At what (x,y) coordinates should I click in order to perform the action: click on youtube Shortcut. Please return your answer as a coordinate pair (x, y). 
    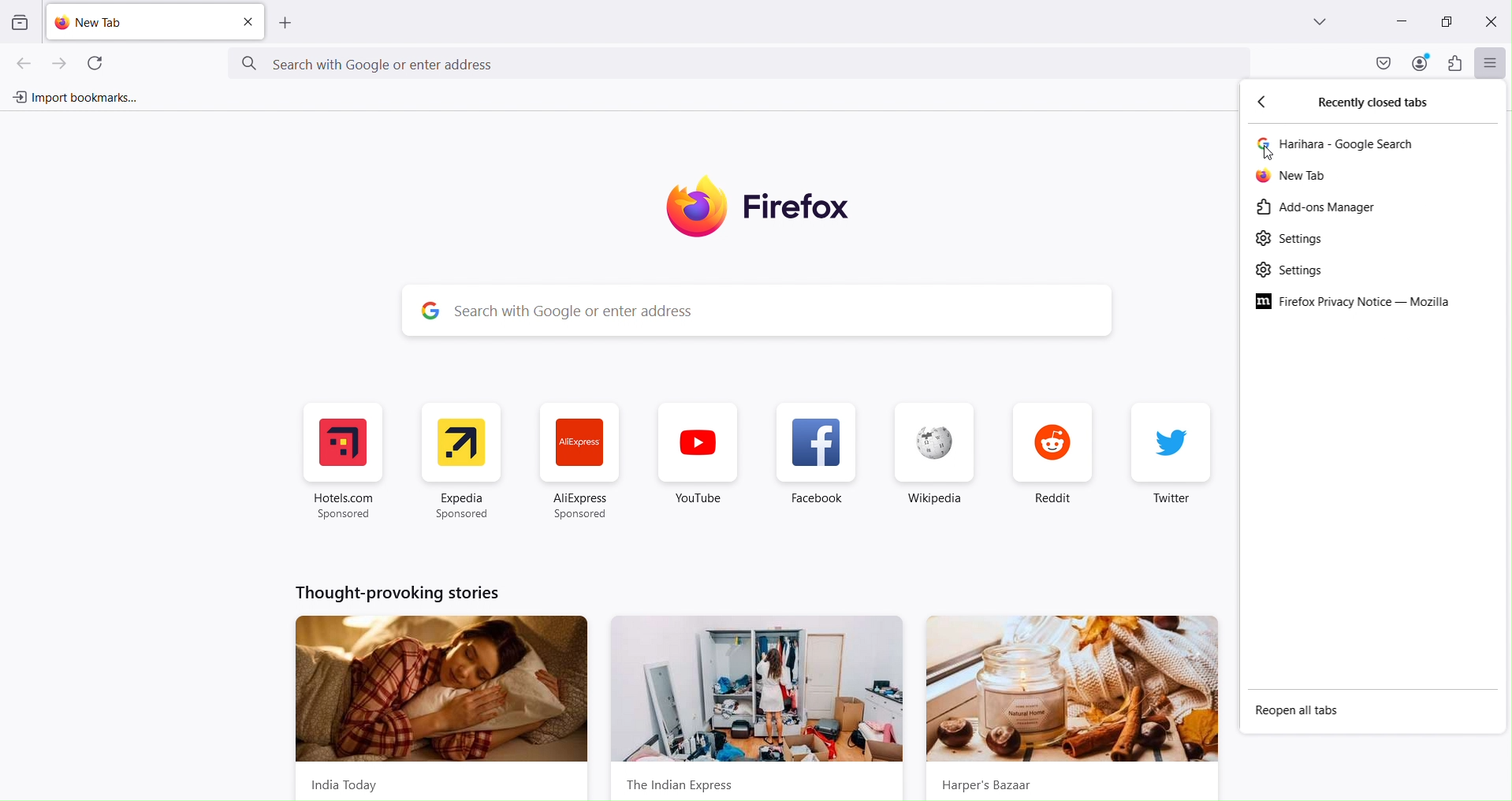
    Looking at the image, I should click on (698, 462).